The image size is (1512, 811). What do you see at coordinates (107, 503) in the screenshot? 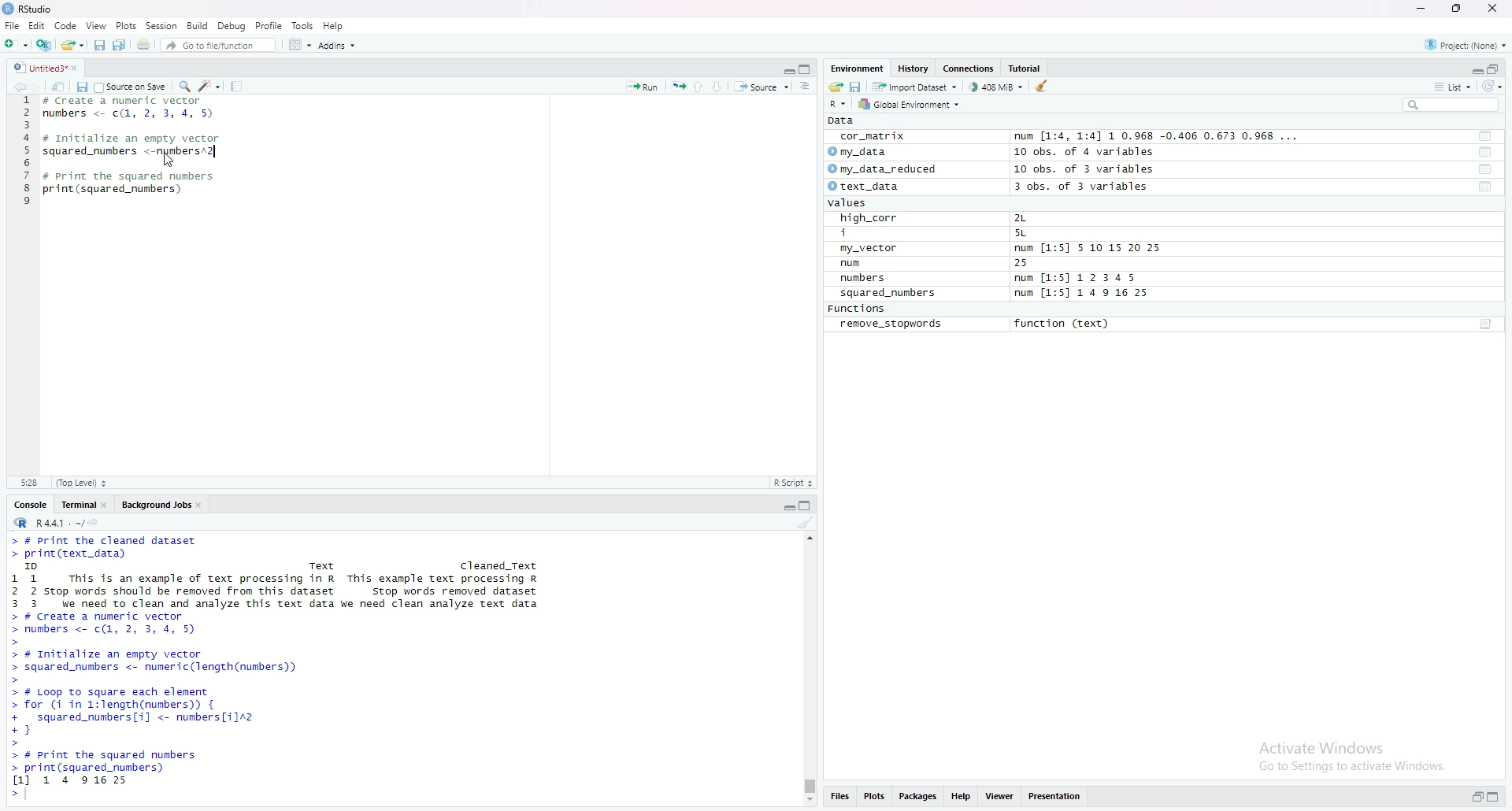
I see `close` at bounding box center [107, 503].